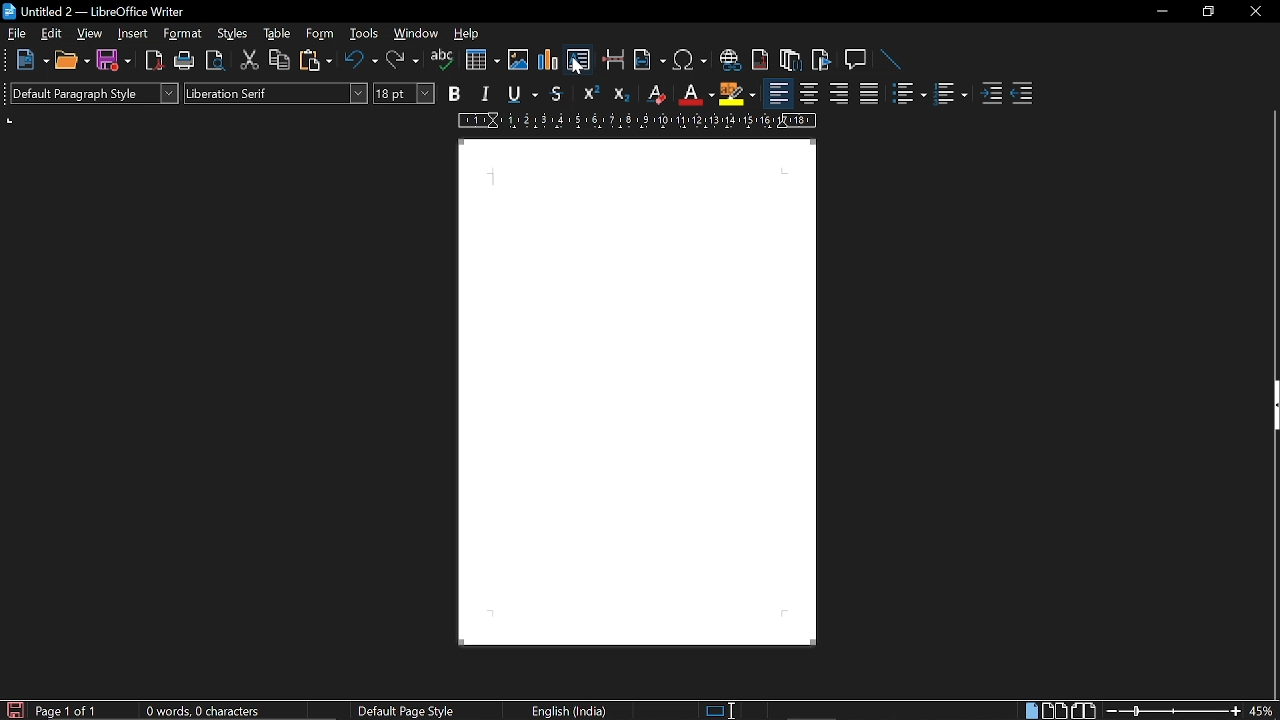 The image size is (1280, 720). I want to click on undo, so click(362, 61).